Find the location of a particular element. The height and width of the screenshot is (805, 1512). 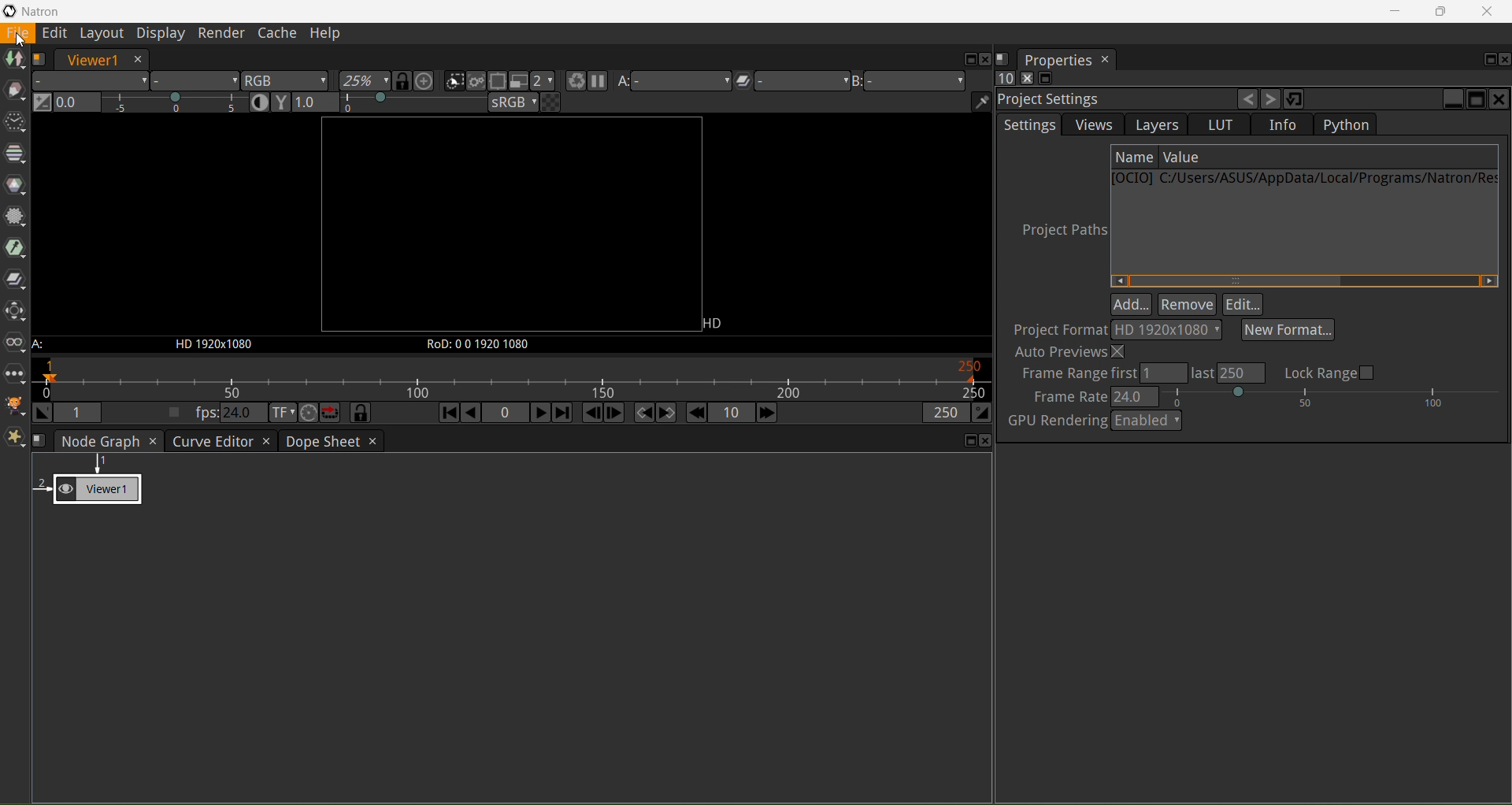

Close Tab is located at coordinates (1106, 61).